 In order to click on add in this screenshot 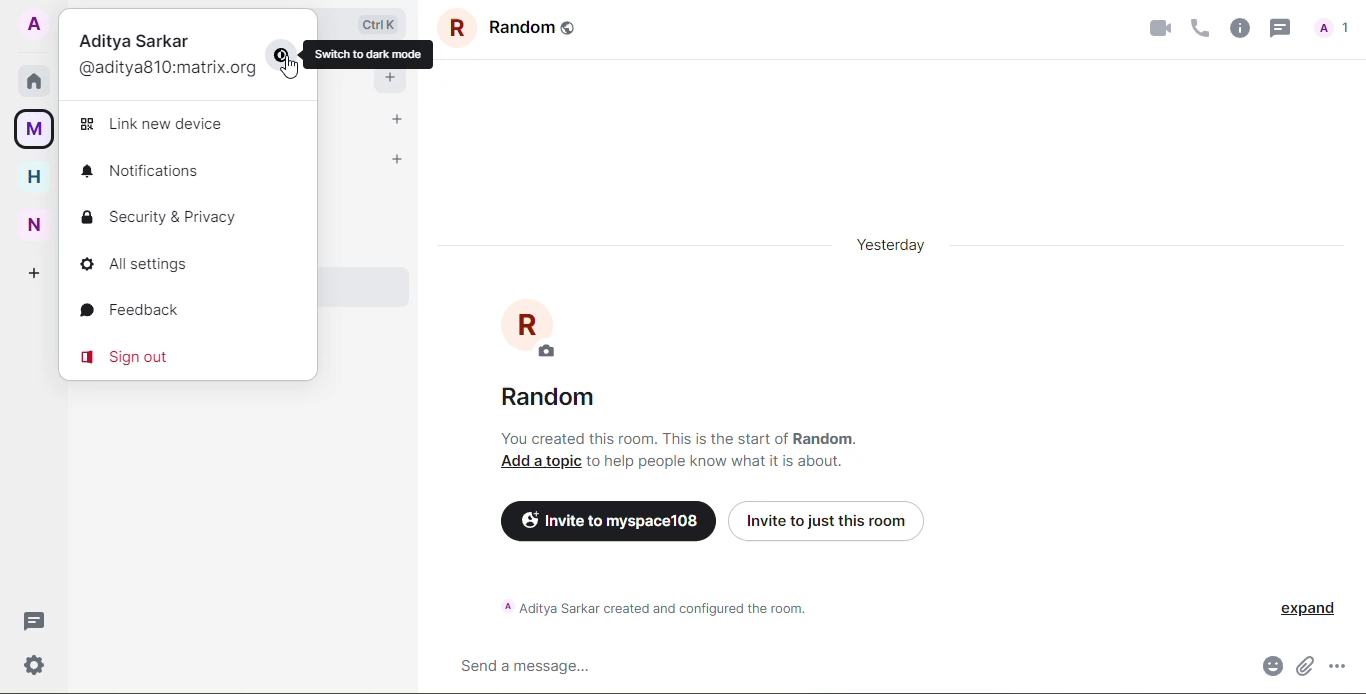, I will do `click(34, 272)`.